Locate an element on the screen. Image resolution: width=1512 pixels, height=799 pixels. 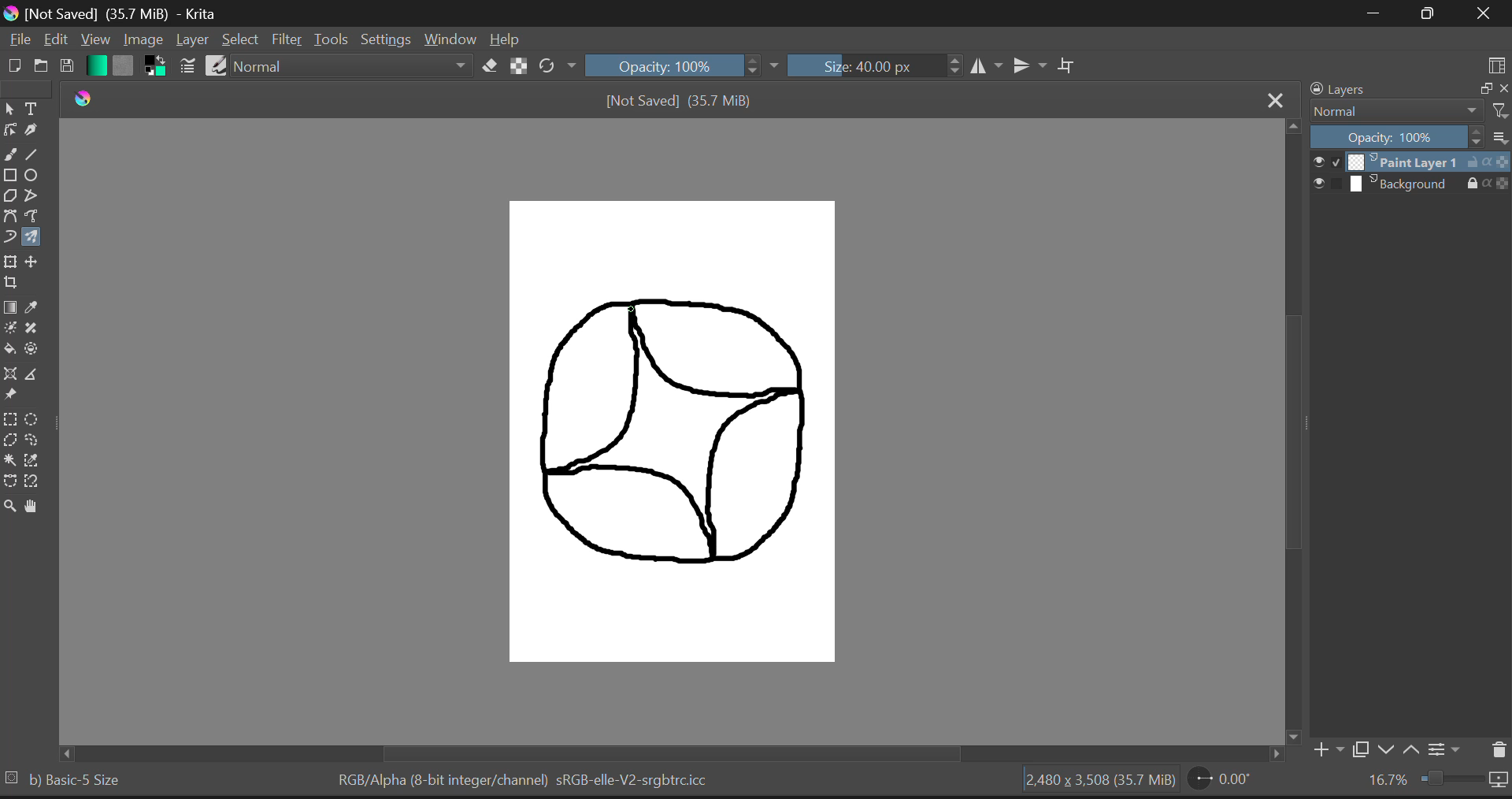
 is located at coordinates (10, 777).